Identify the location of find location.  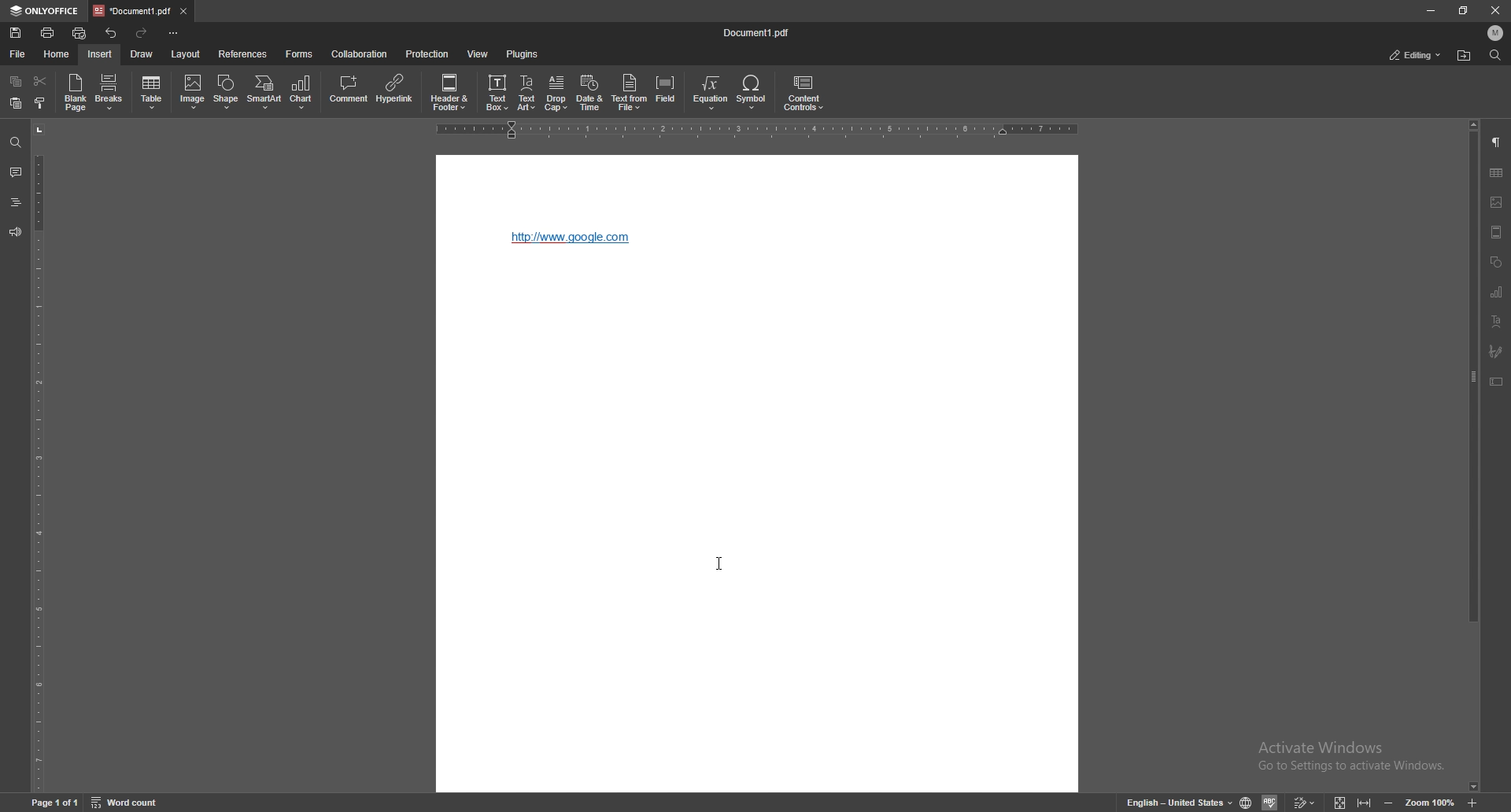
(1464, 56).